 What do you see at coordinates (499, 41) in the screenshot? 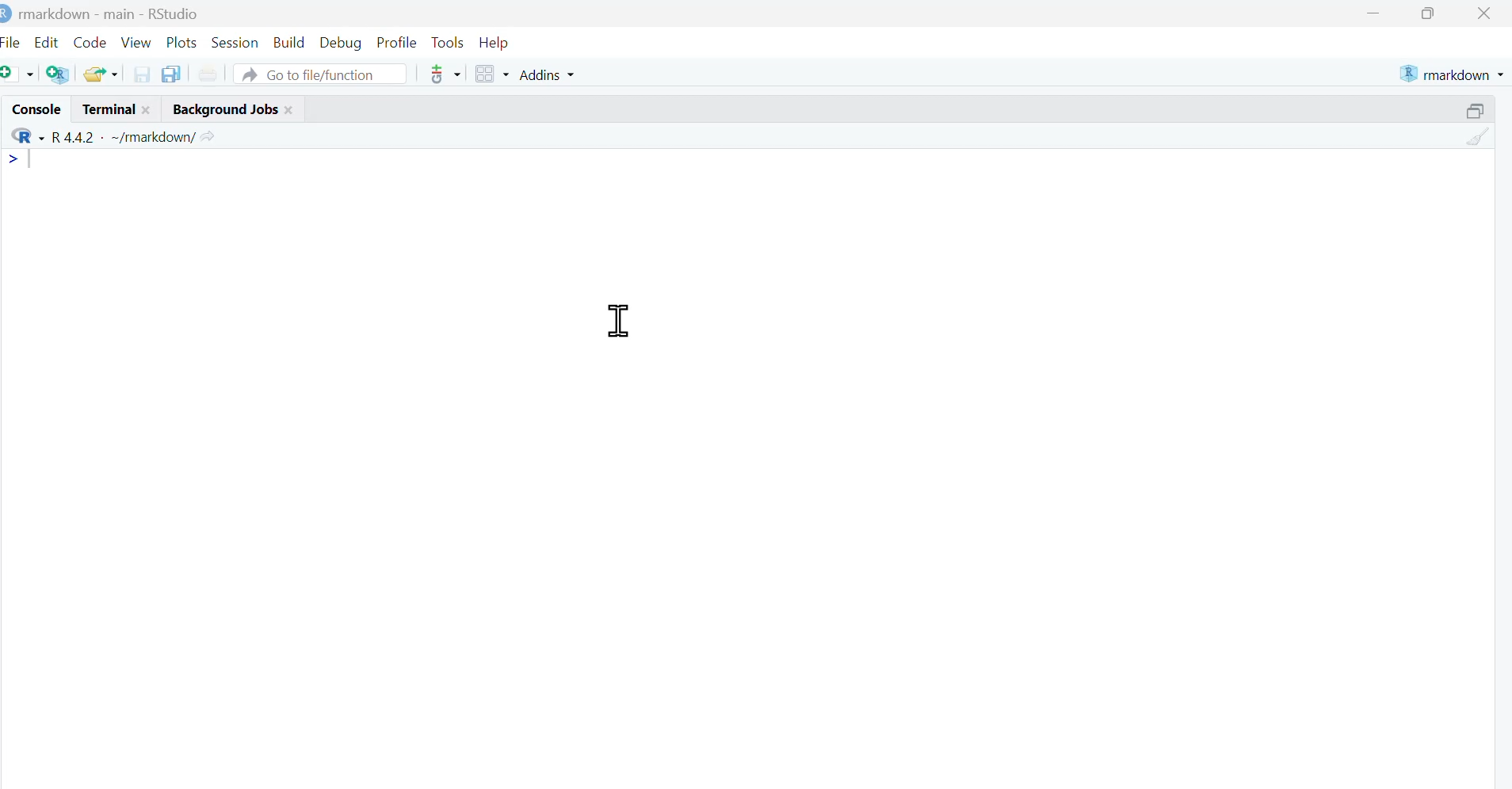
I see `Help` at bounding box center [499, 41].